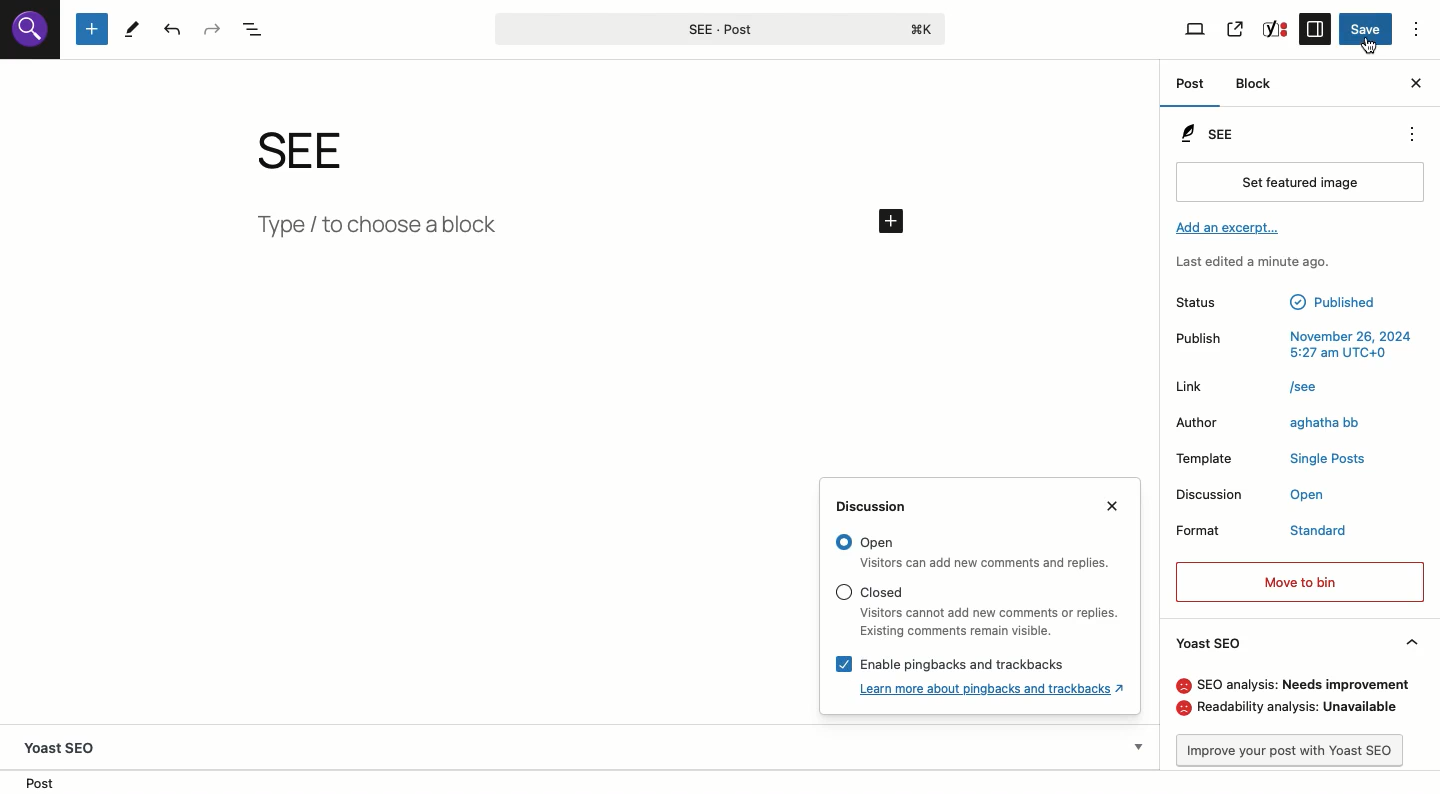 This screenshot has height=794, width=1440. I want to click on Readability analysis: unavailable, so click(1294, 710).